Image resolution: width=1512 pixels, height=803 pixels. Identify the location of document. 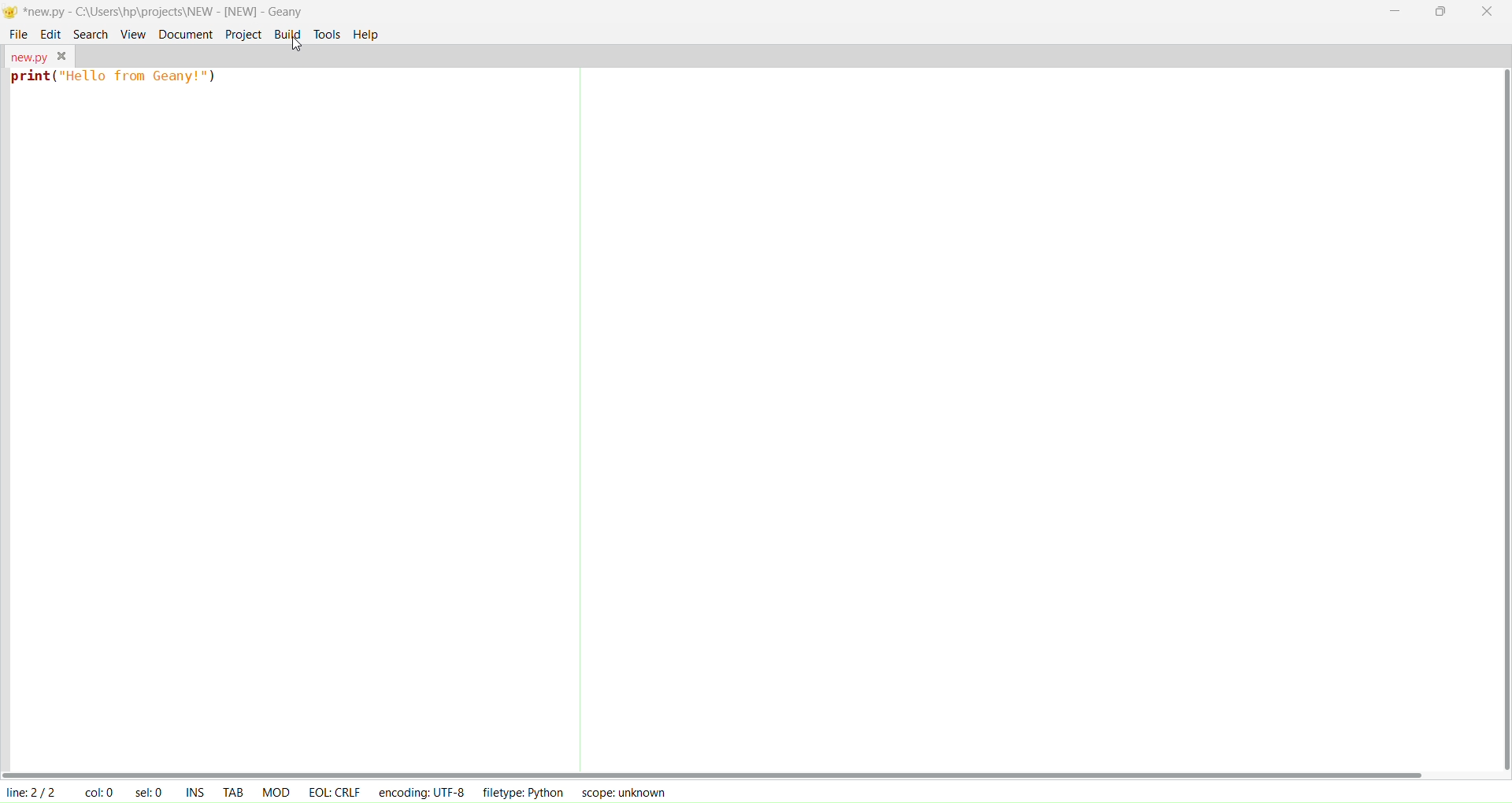
(183, 33).